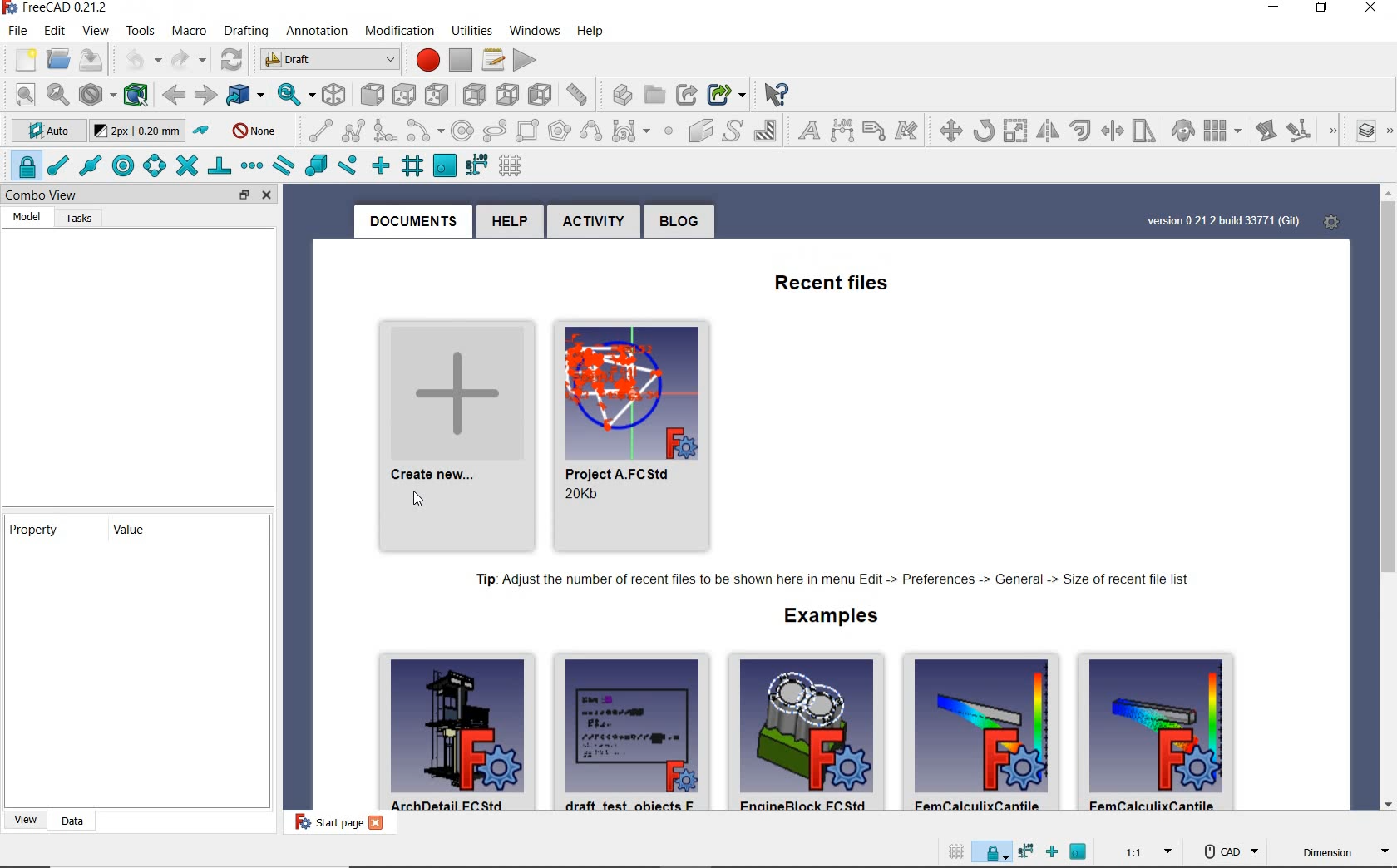 This screenshot has height=868, width=1397. What do you see at coordinates (1370, 131) in the screenshot?
I see `manage layers` at bounding box center [1370, 131].